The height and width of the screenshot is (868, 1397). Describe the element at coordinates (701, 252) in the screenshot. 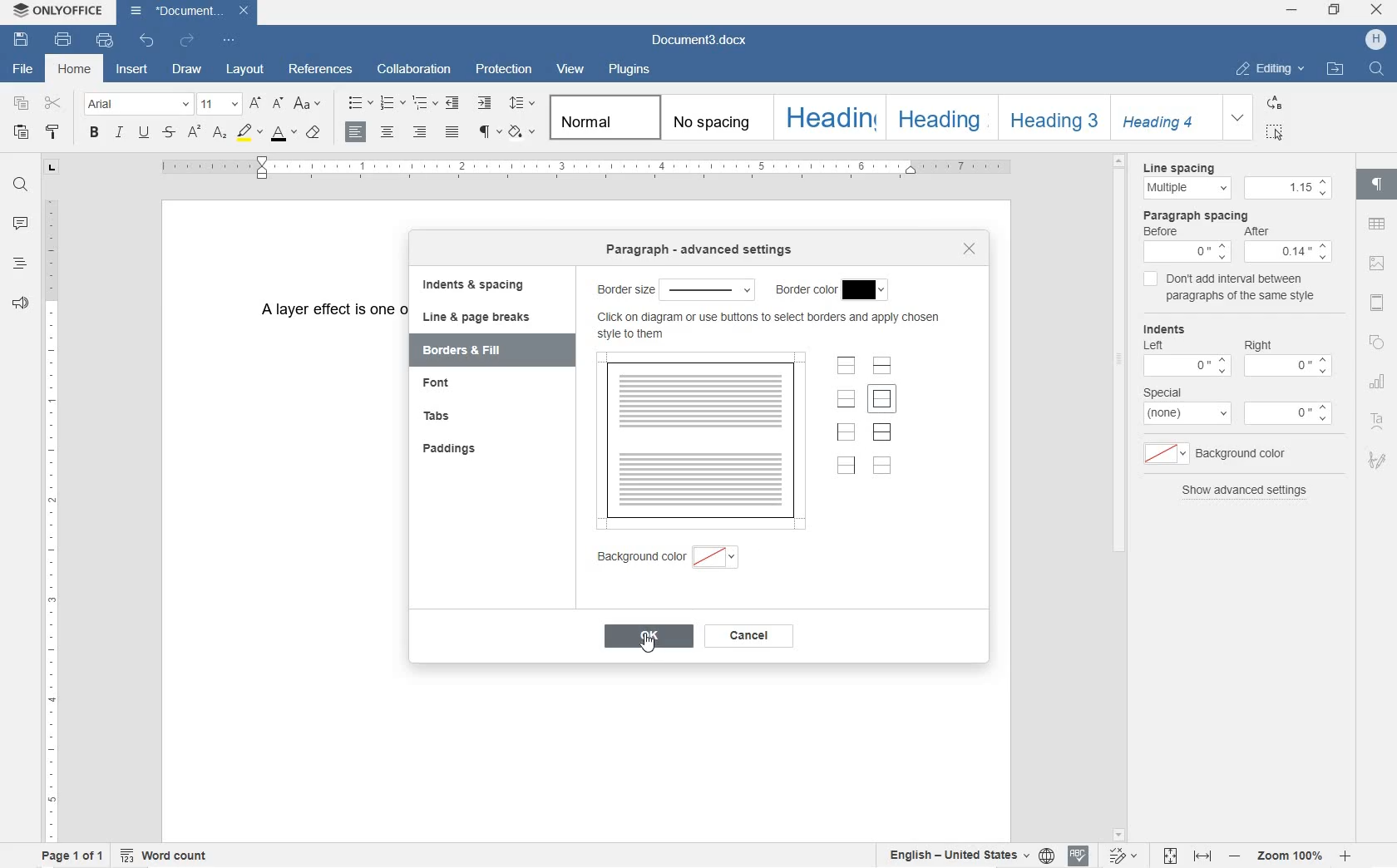

I see `paragraph-advanced settings` at that location.